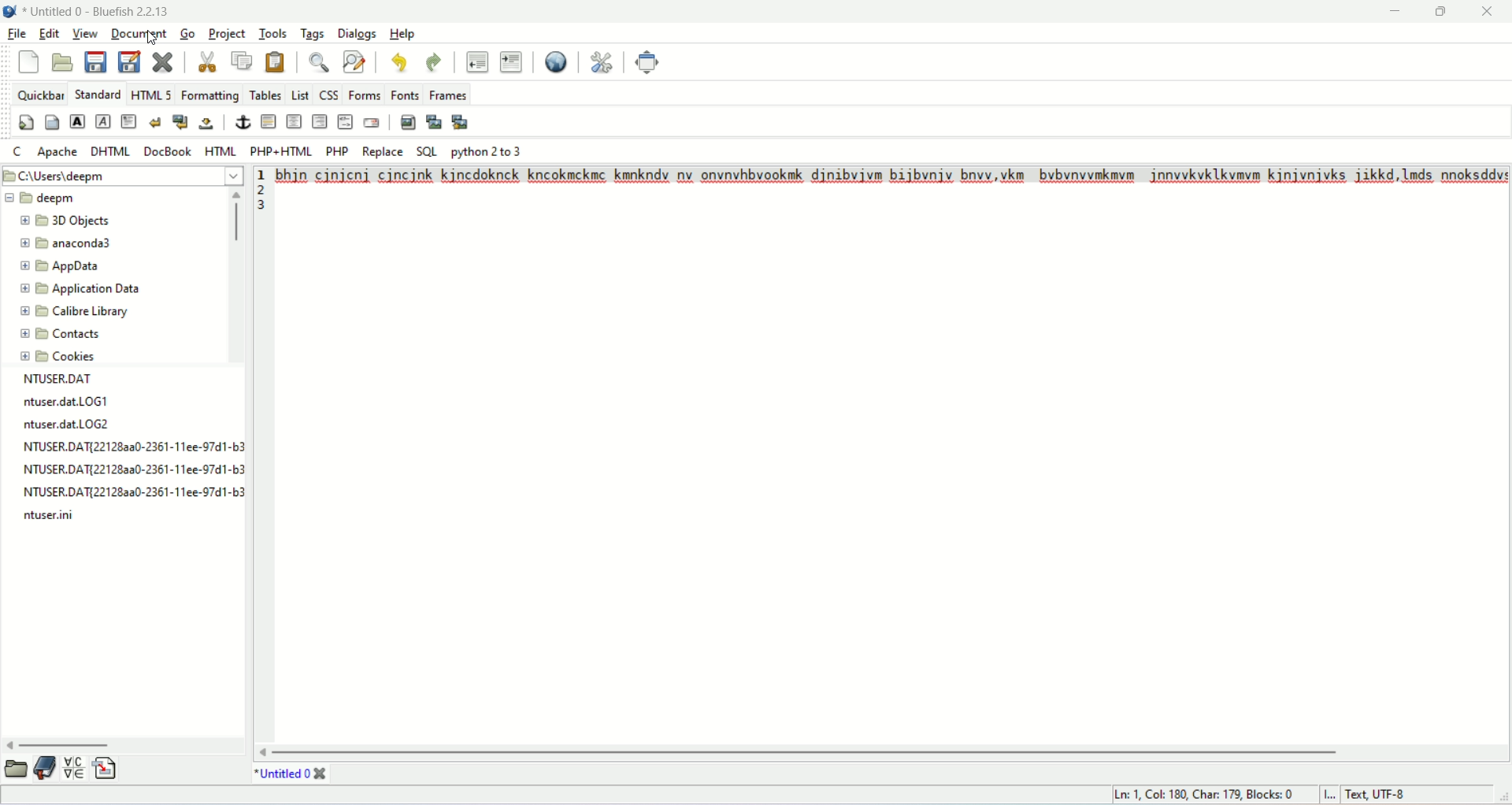  What do you see at coordinates (28, 123) in the screenshot?
I see `quickstart` at bounding box center [28, 123].